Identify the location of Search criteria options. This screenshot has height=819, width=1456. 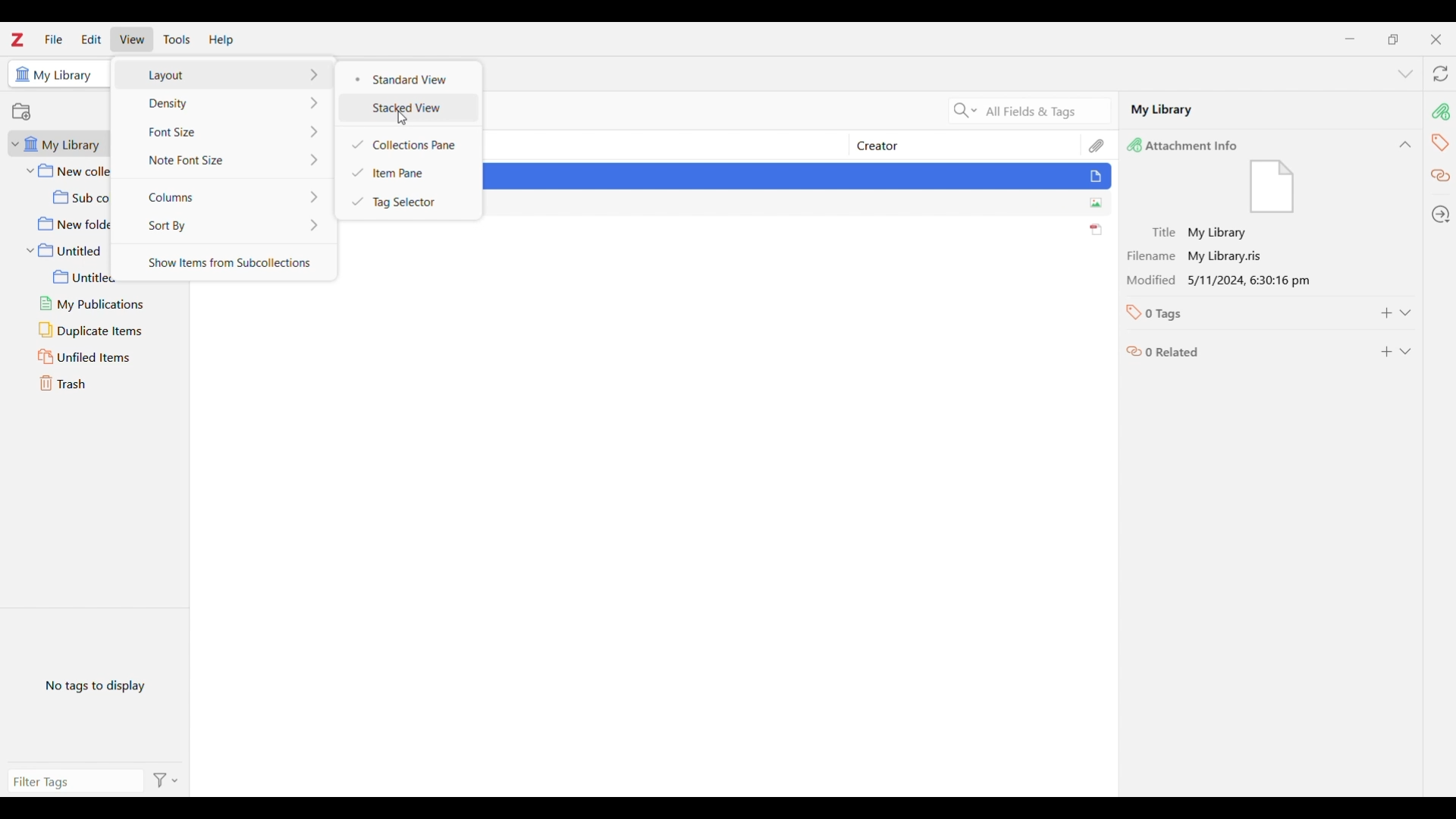
(965, 111).